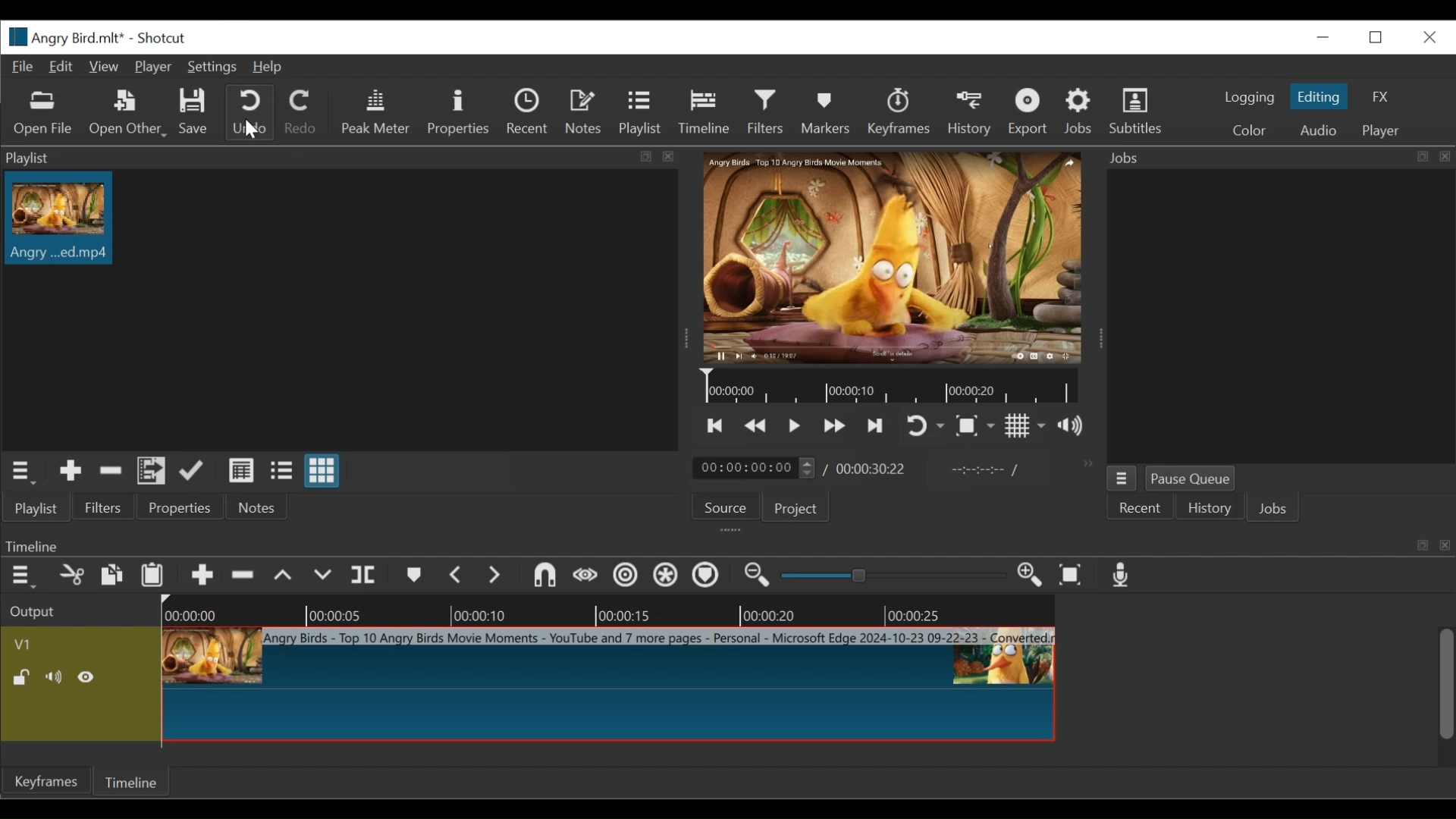  I want to click on Record audio, so click(1122, 576).